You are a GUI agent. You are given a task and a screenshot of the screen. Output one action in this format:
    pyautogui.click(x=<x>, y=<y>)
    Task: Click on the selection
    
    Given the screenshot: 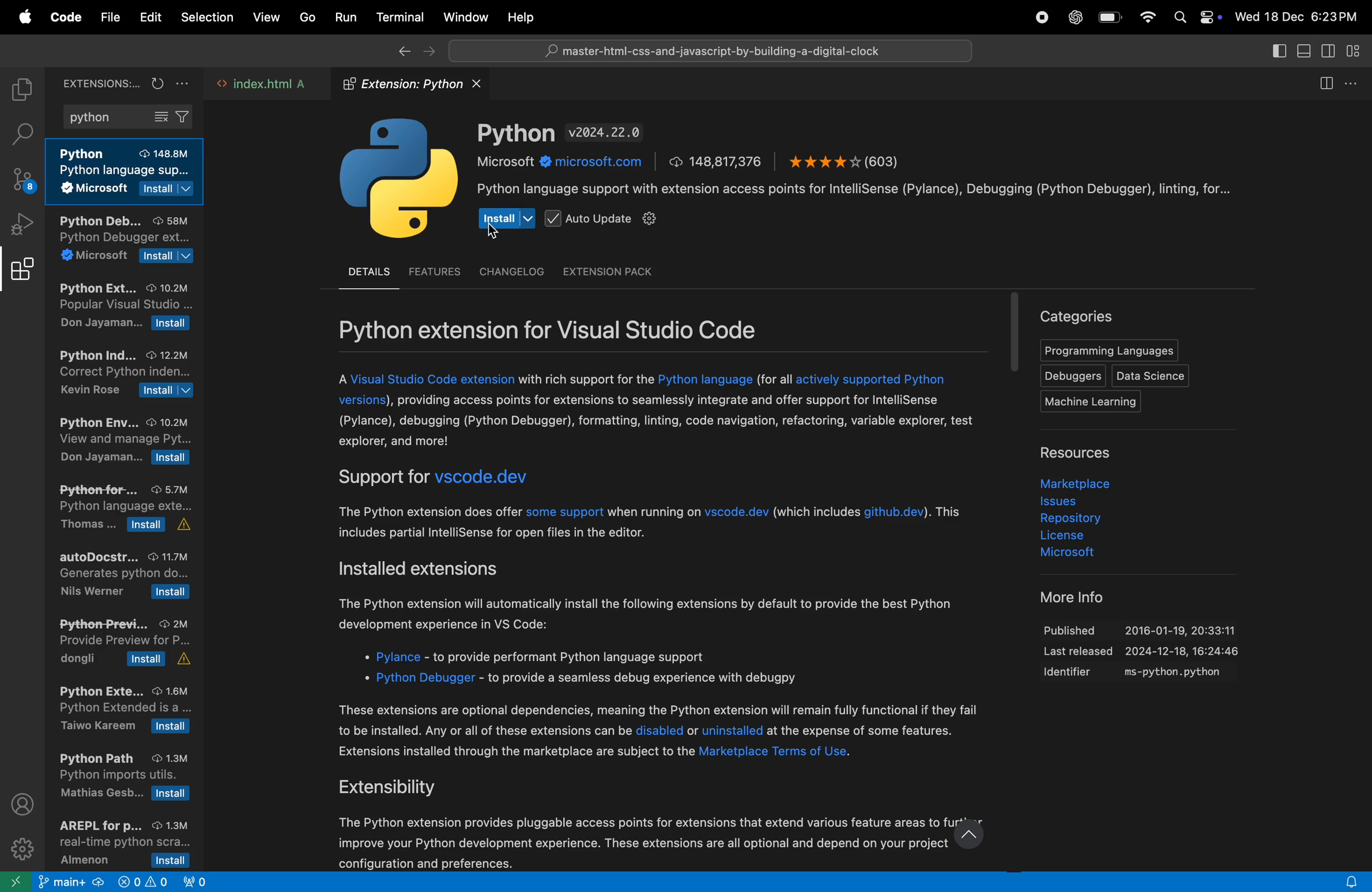 What is the action you would take?
    pyautogui.click(x=207, y=20)
    